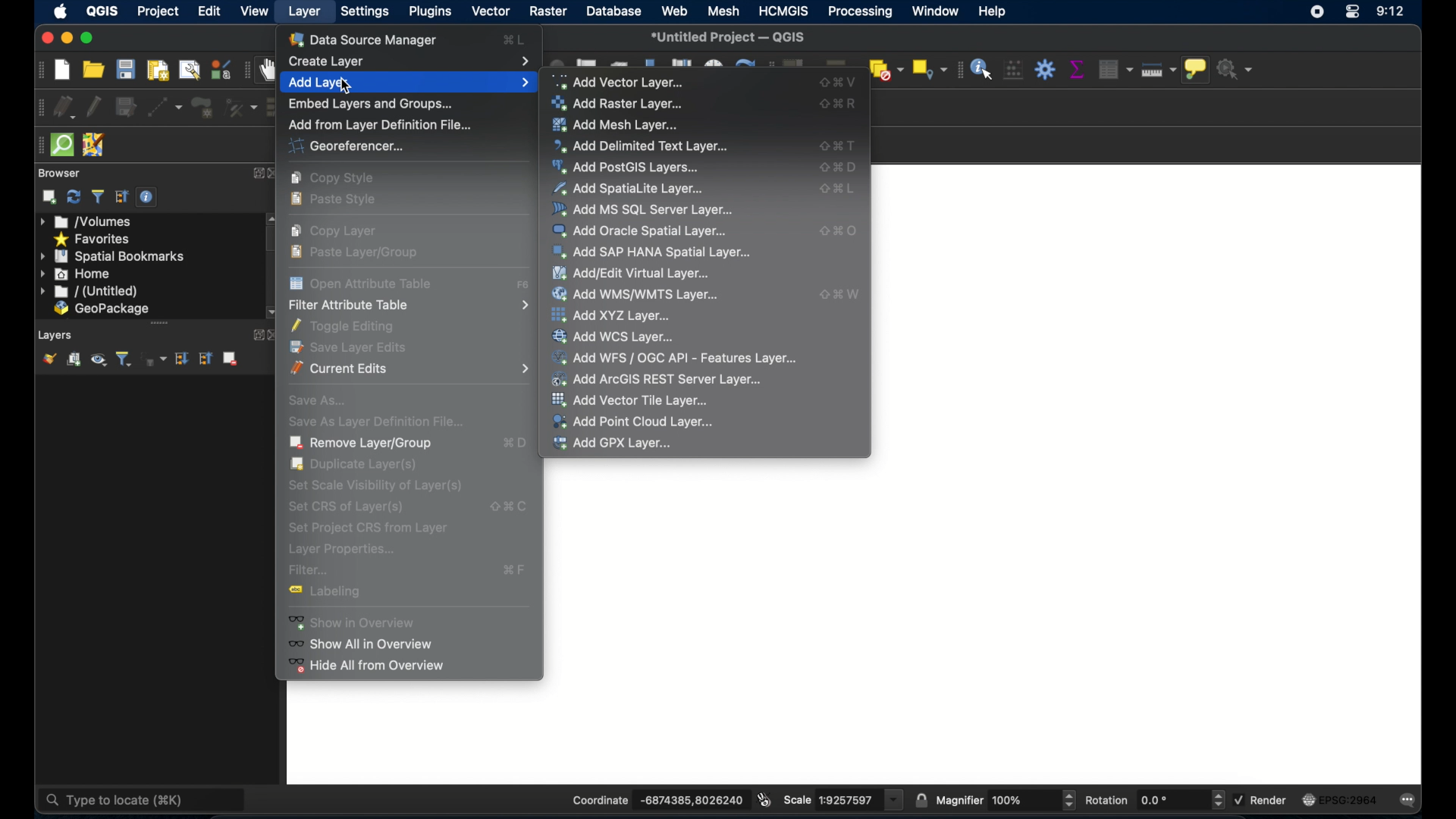  What do you see at coordinates (843, 799) in the screenshot?
I see `scale` at bounding box center [843, 799].